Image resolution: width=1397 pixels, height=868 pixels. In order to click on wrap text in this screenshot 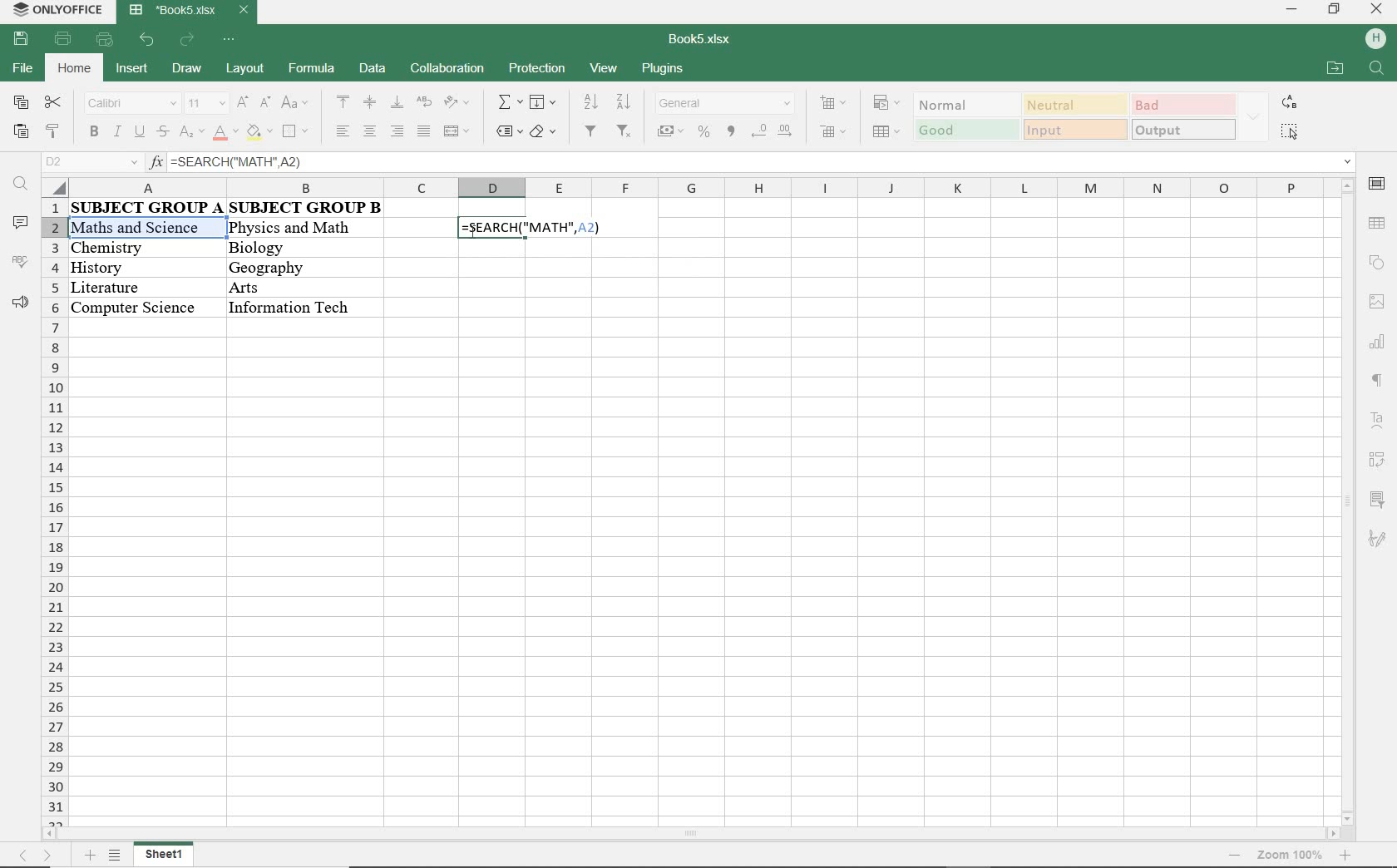, I will do `click(426, 104)`.